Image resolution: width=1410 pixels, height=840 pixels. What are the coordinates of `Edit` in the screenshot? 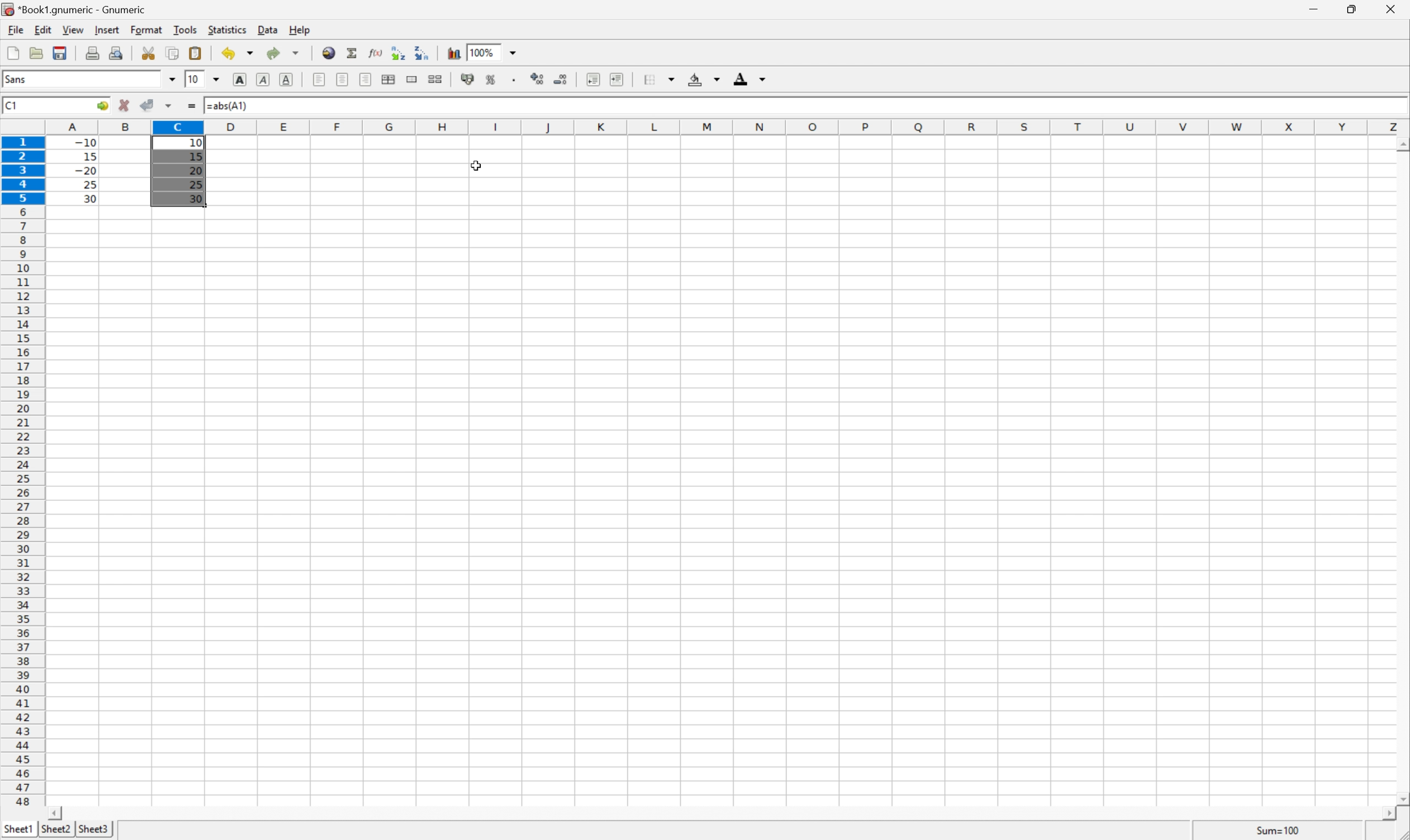 It's located at (44, 28).